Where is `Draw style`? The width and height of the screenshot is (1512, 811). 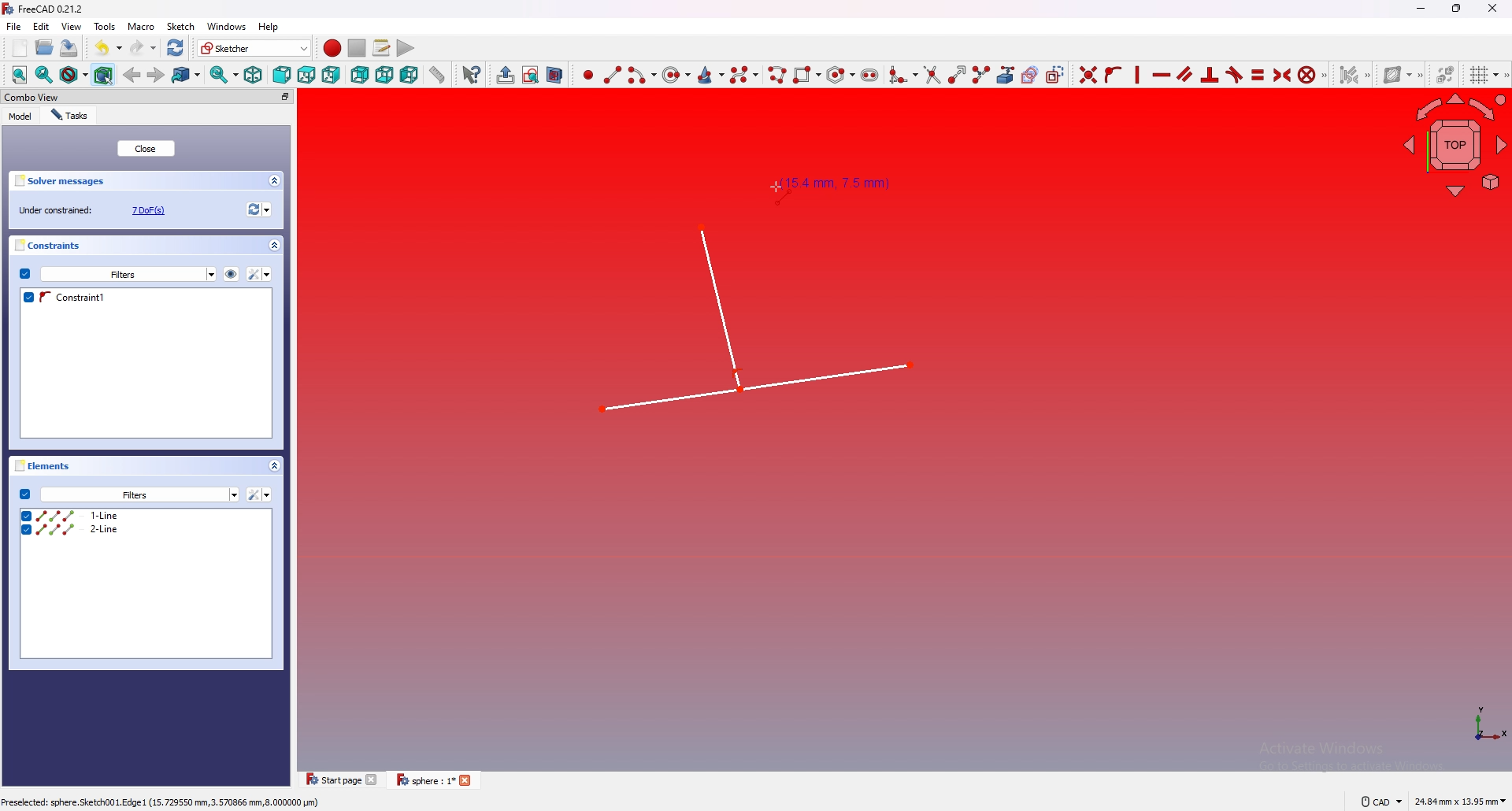 Draw style is located at coordinates (72, 75).